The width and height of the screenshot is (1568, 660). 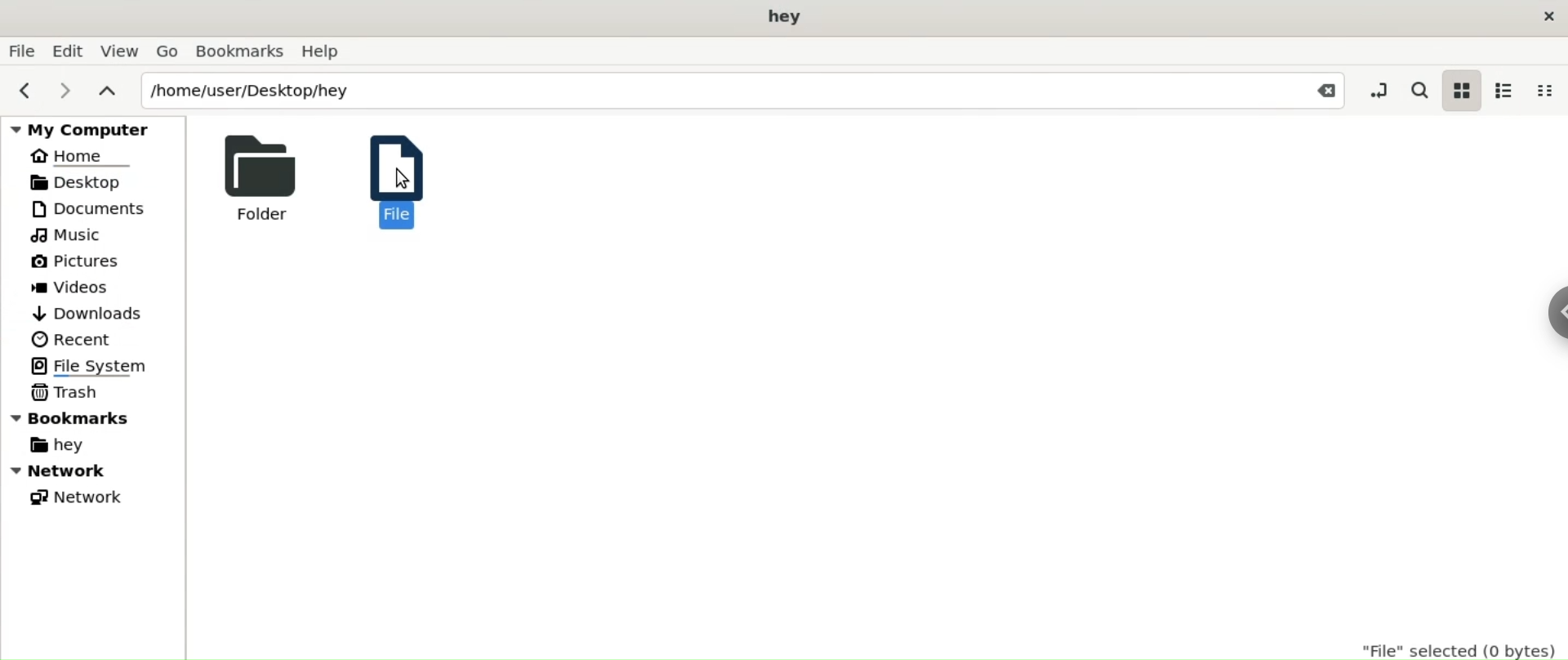 What do you see at coordinates (1419, 90) in the screenshot?
I see `search` at bounding box center [1419, 90].